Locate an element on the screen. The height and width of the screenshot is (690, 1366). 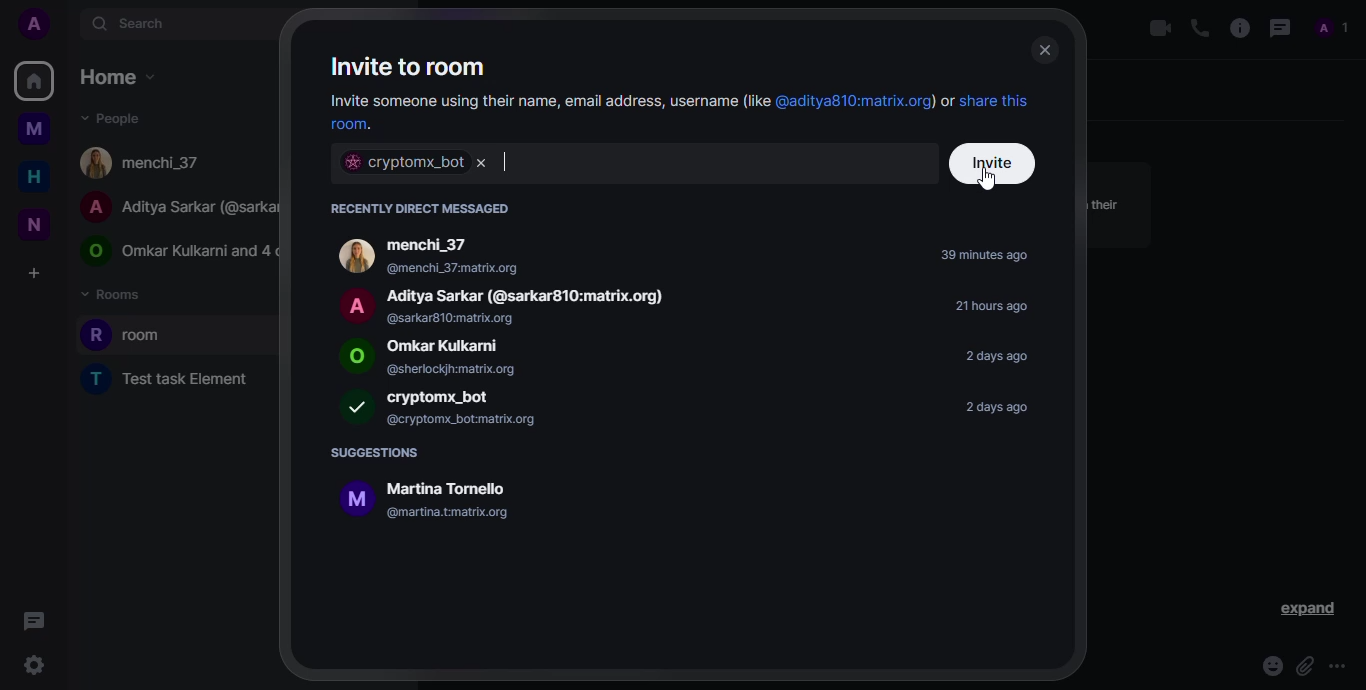
home is located at coordinates (33, 81).